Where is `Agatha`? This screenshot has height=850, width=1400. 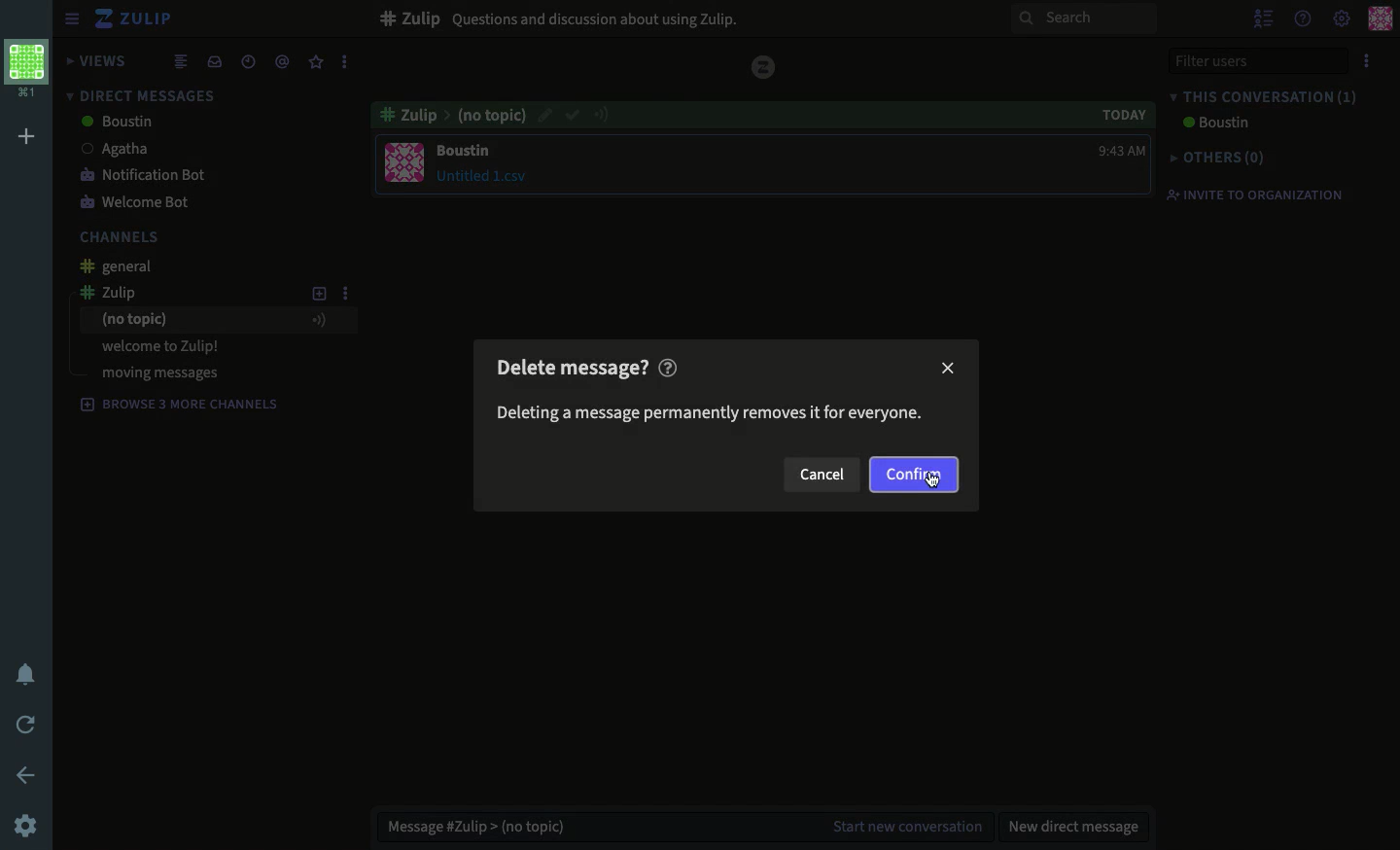
Agatha is located at coordinates (149, 148).